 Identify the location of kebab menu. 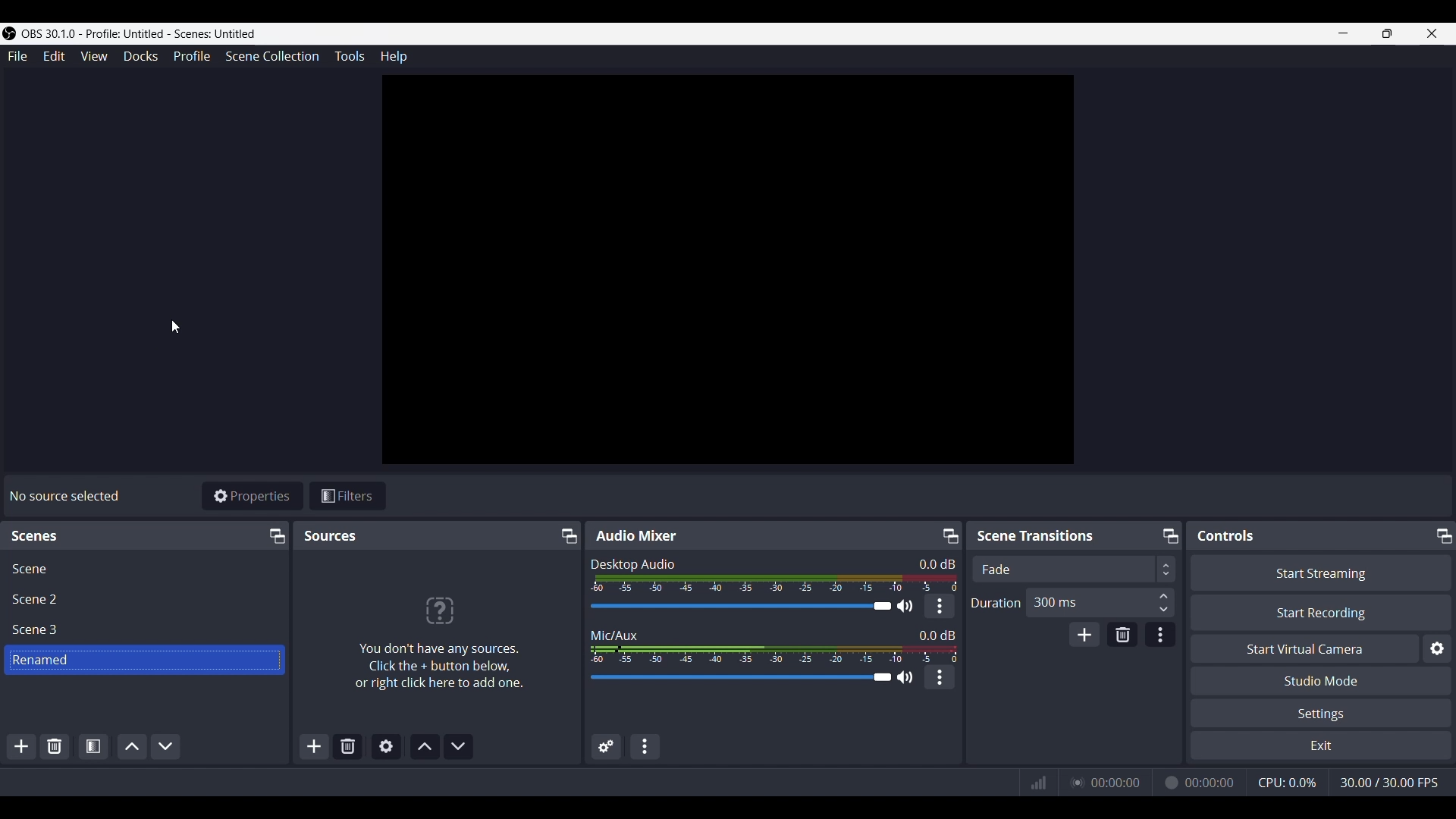
(940, 677).